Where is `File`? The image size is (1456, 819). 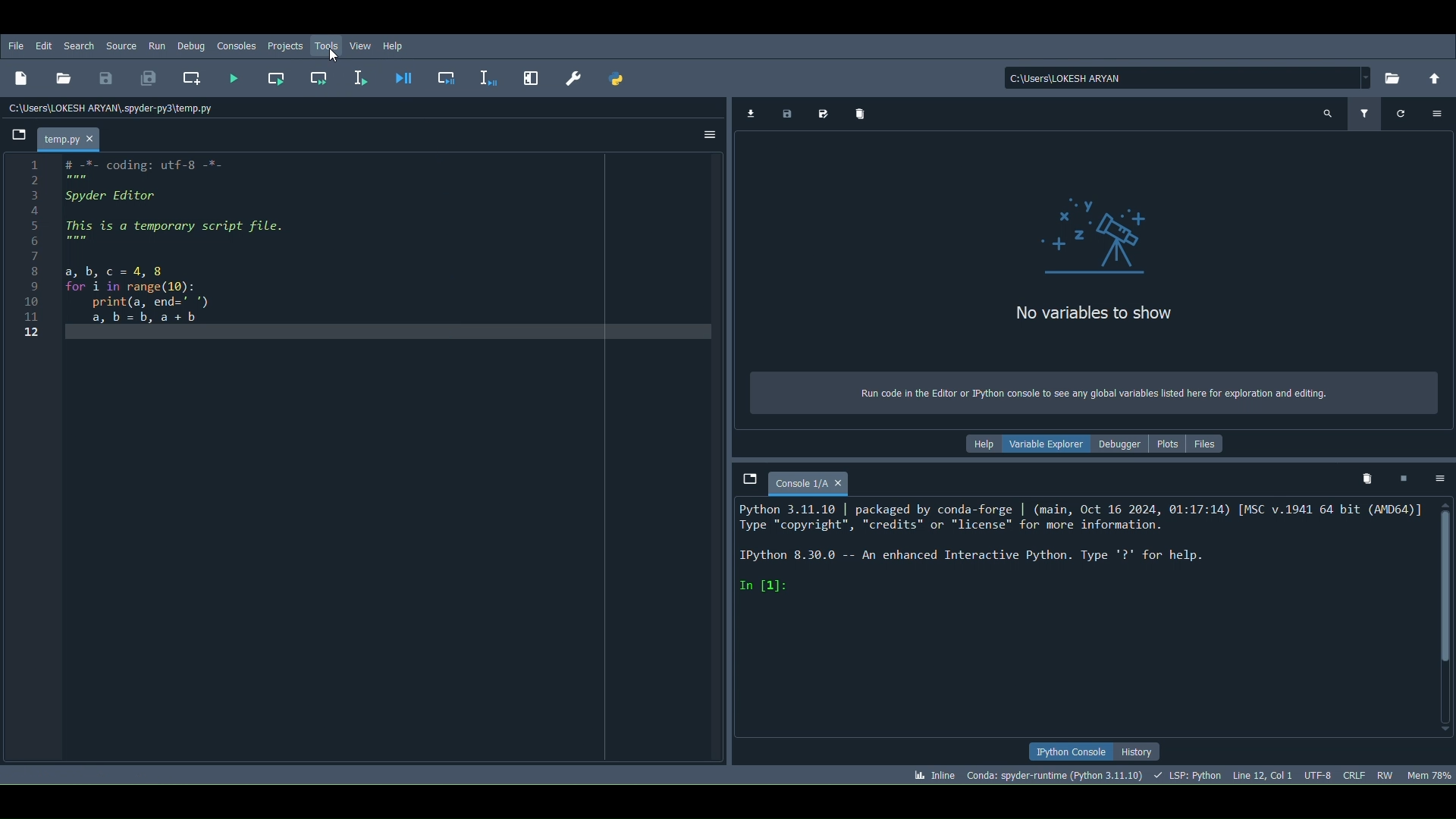 File is located at coordinates (16, 46).